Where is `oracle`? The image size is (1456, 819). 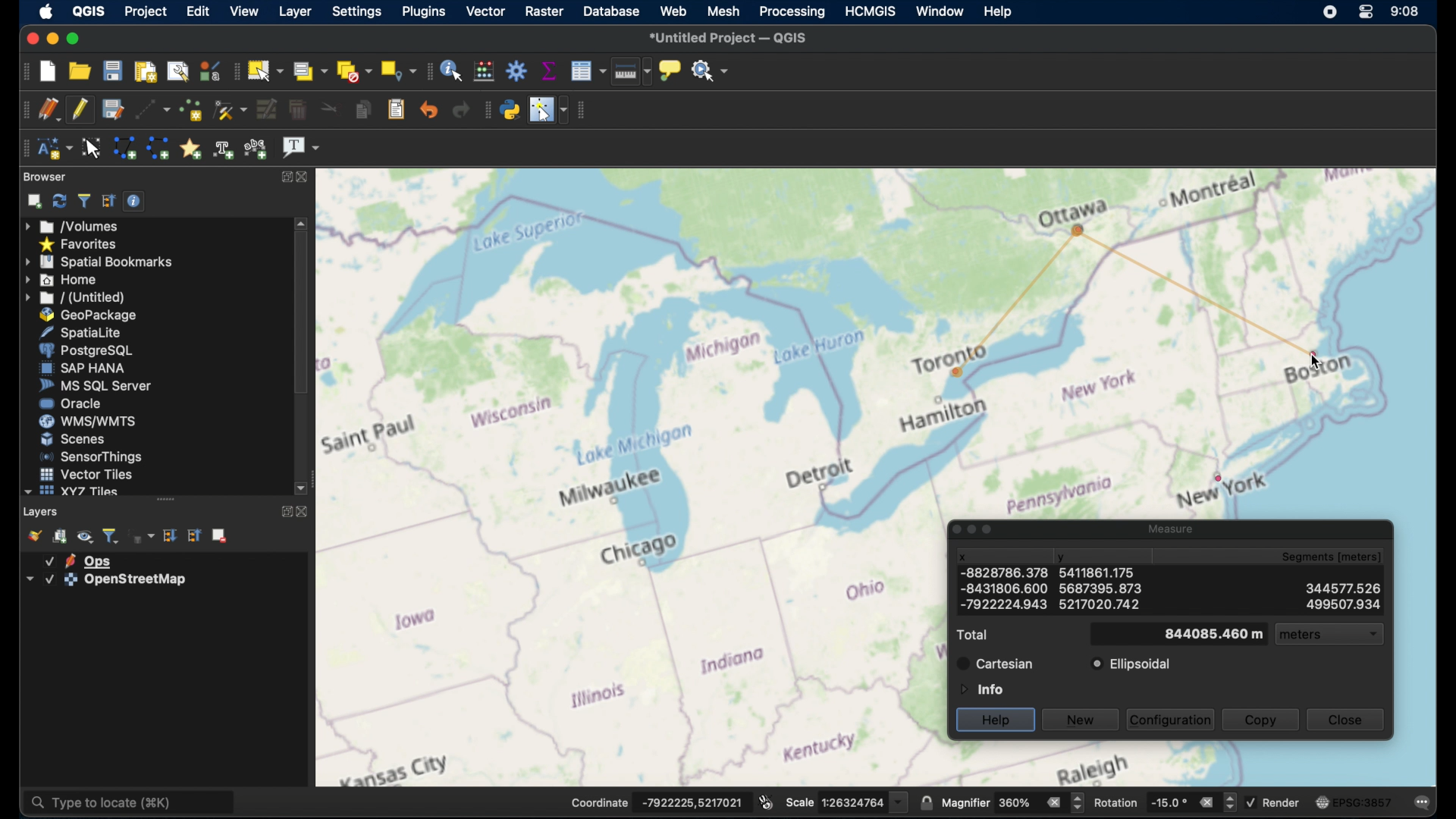
oracle is located at coordinates (71, 404).